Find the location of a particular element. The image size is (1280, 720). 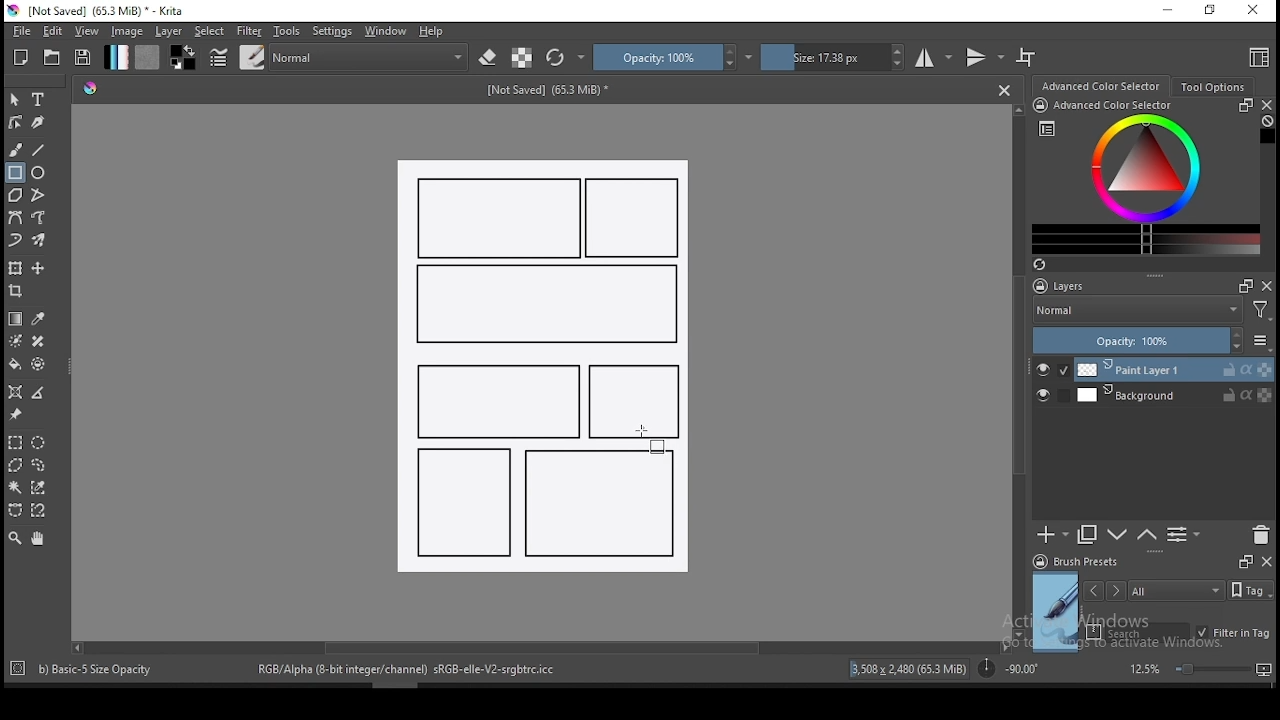

edit shapes tool is located at coordinates (15, 121).